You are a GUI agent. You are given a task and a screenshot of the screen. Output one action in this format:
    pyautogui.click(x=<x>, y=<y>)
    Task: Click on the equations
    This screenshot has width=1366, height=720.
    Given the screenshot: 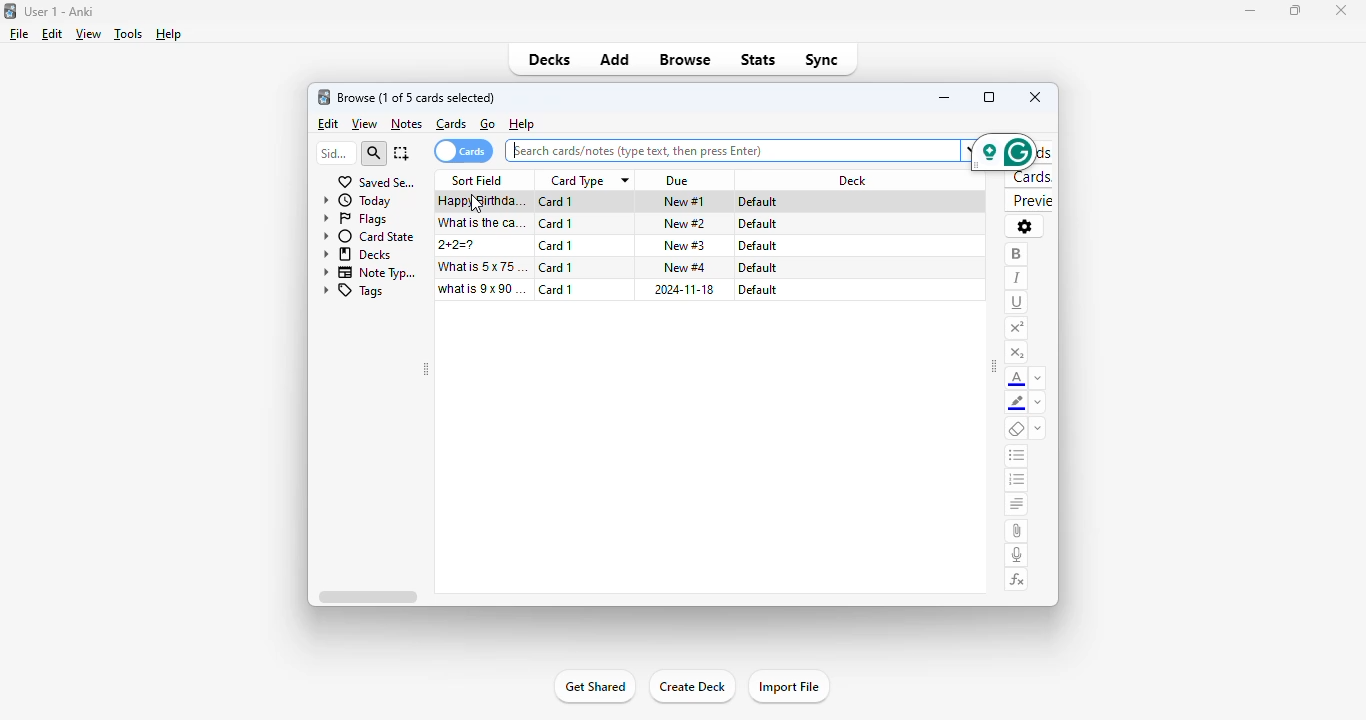 What is the action you would take?
    pyautogui.click(x=1018, y=580)
    